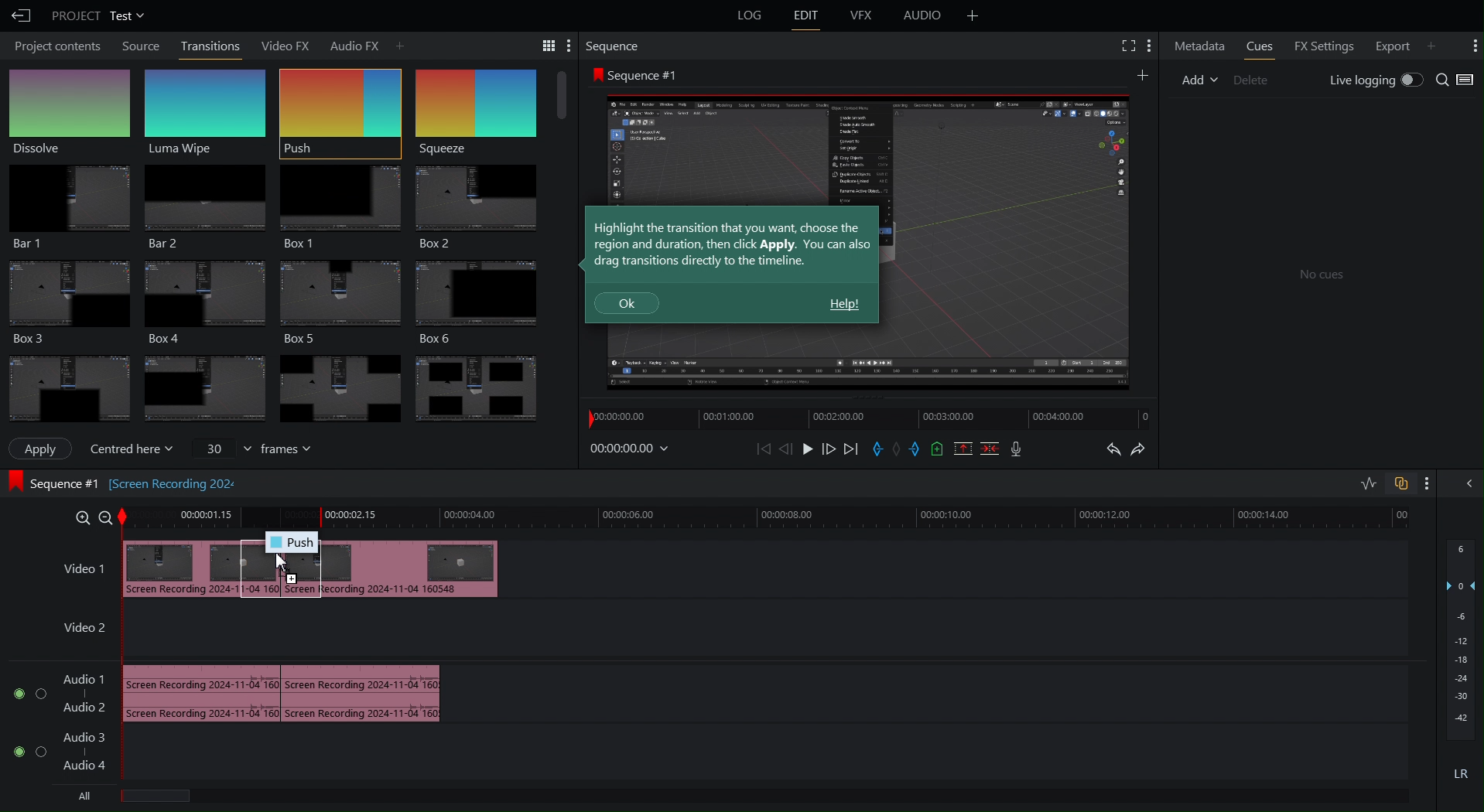  I want to click on Video 2, so click(78, 632).